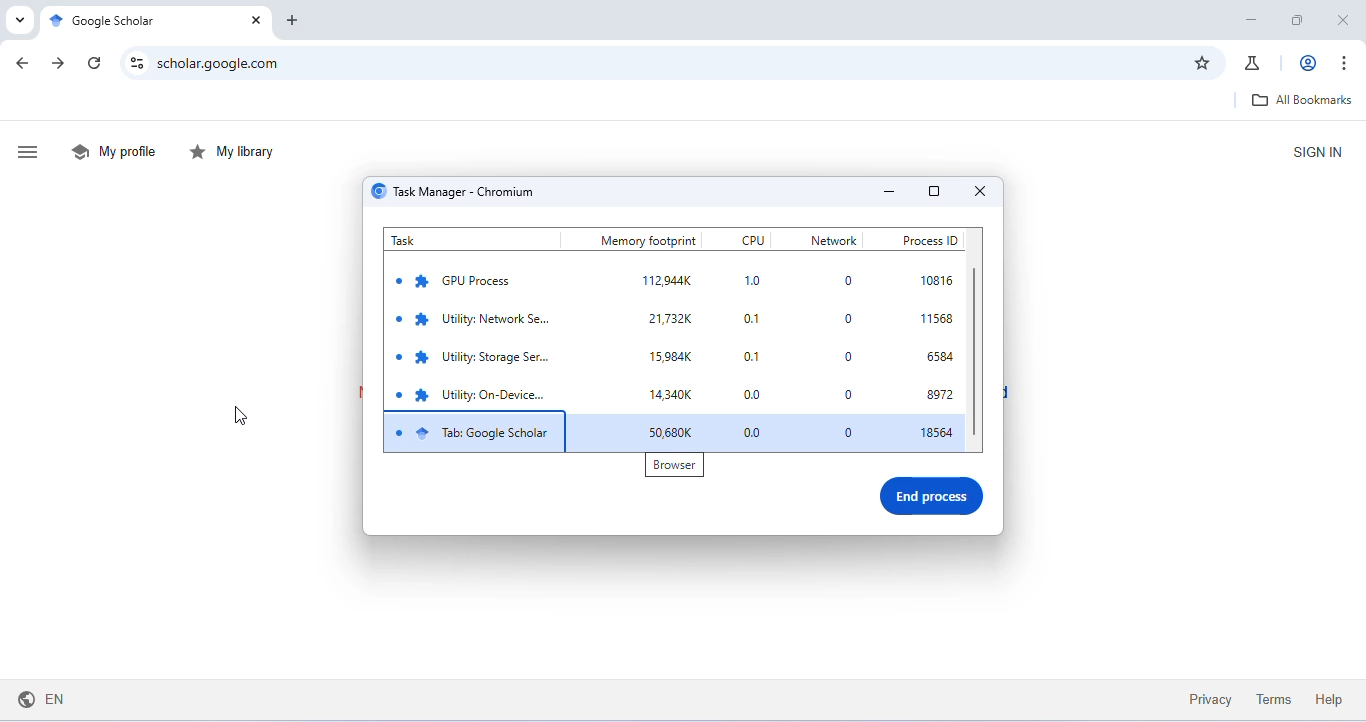 The image size is (1366, 722). What do you see at coordinates (844, 430) in the screenshot?
I see `0` at bounding box center [844, 430].